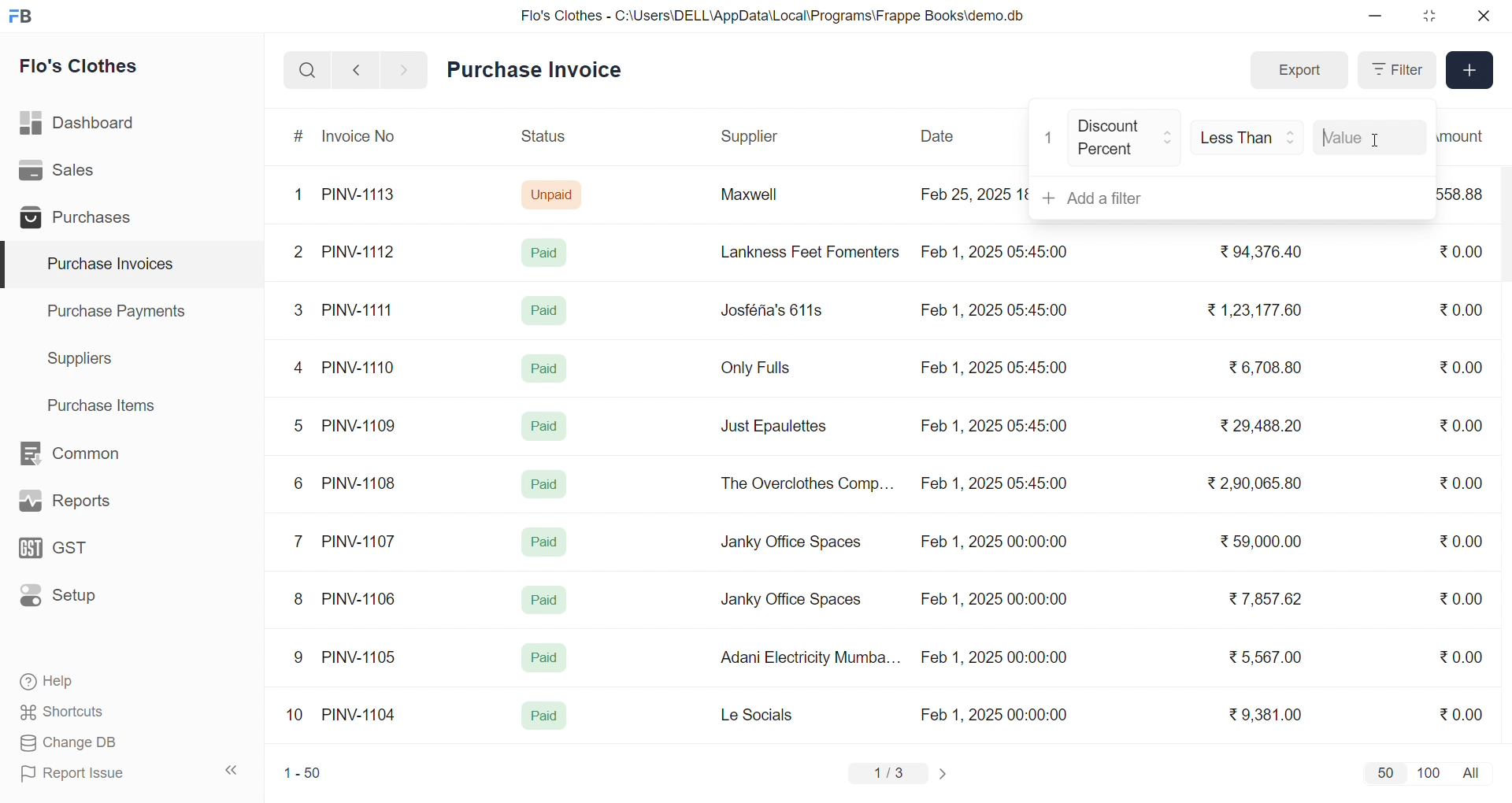  Describe the element at coordinates (1384, 772) in the screenshot. I see `50` at that location.